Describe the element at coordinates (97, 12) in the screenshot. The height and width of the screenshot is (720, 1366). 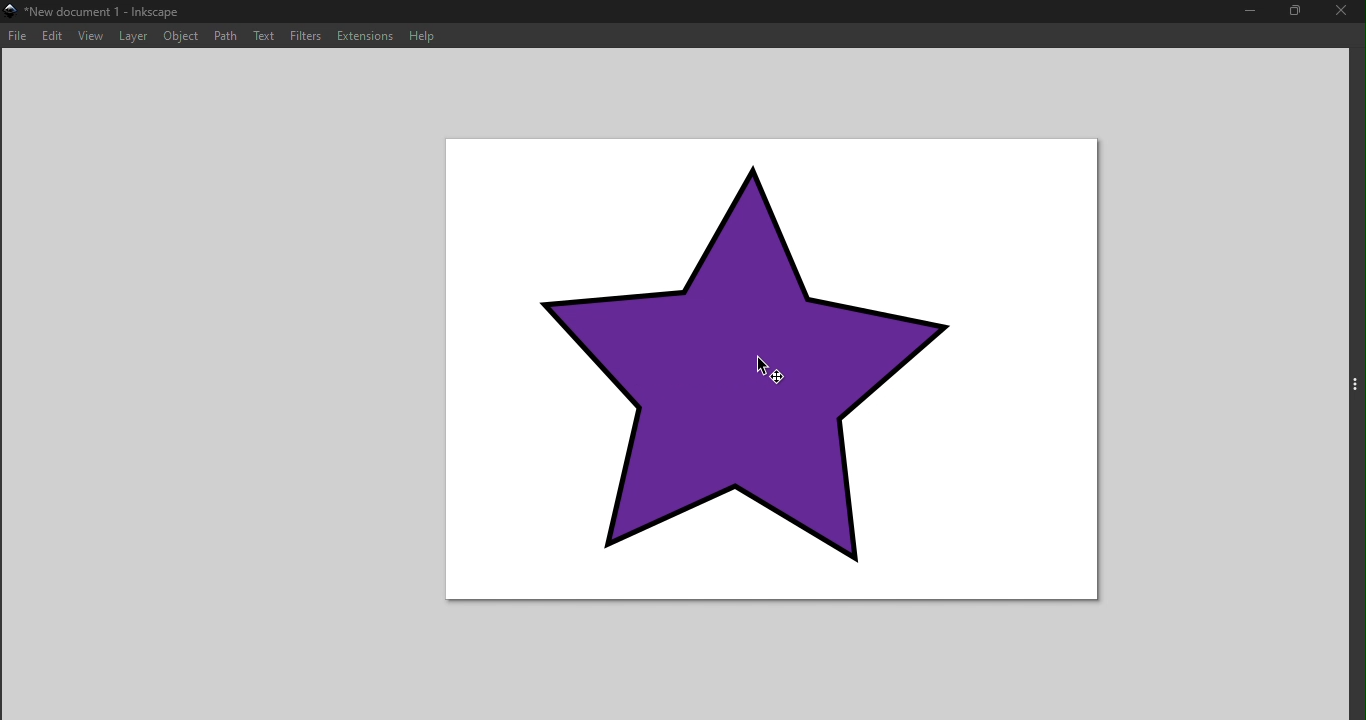
I see `File name` at that location.